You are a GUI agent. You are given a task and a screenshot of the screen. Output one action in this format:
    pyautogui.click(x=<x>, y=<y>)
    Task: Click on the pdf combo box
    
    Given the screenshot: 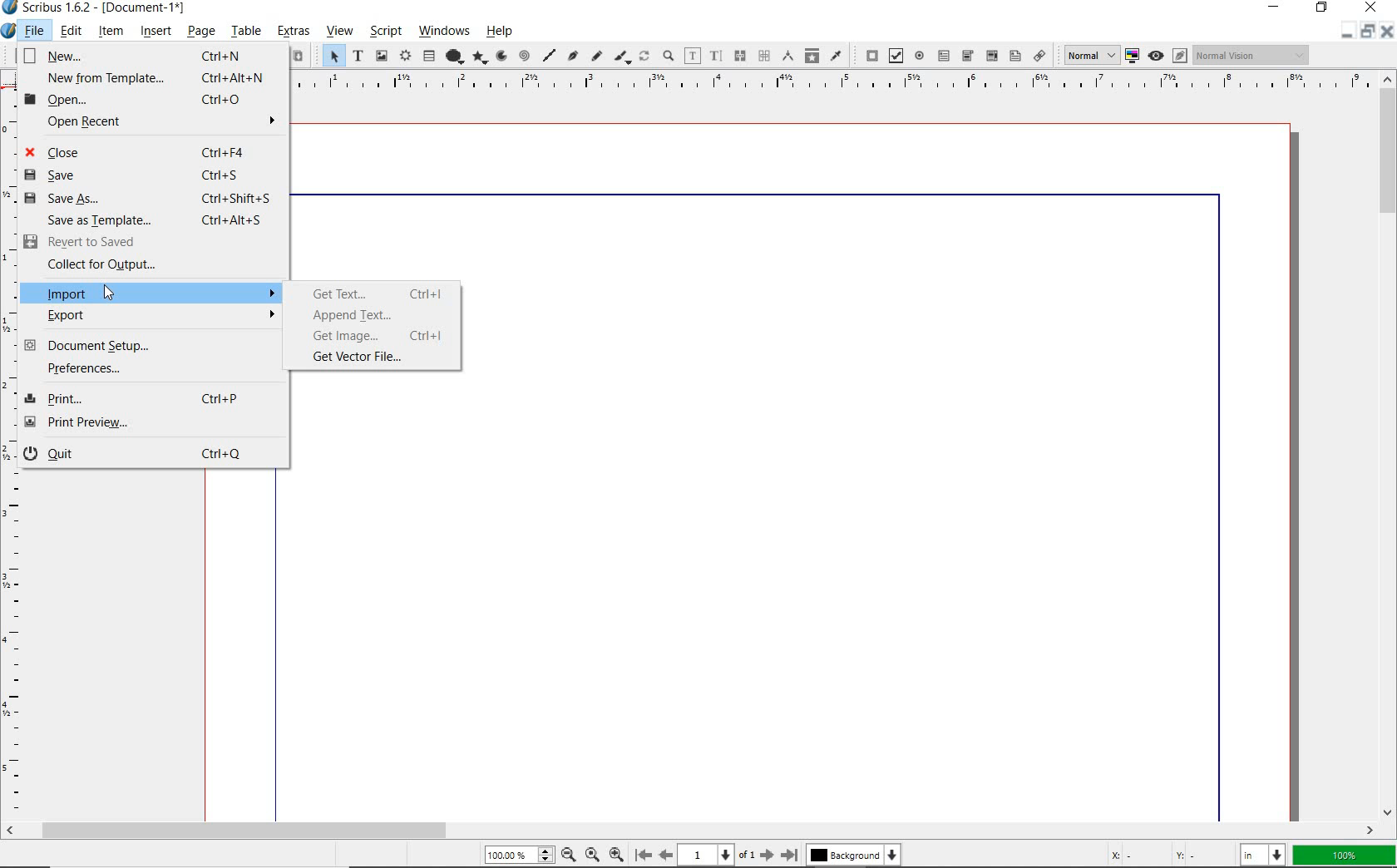 What is the action you would take?
    pyautogui.click(x=990, y=55)
    